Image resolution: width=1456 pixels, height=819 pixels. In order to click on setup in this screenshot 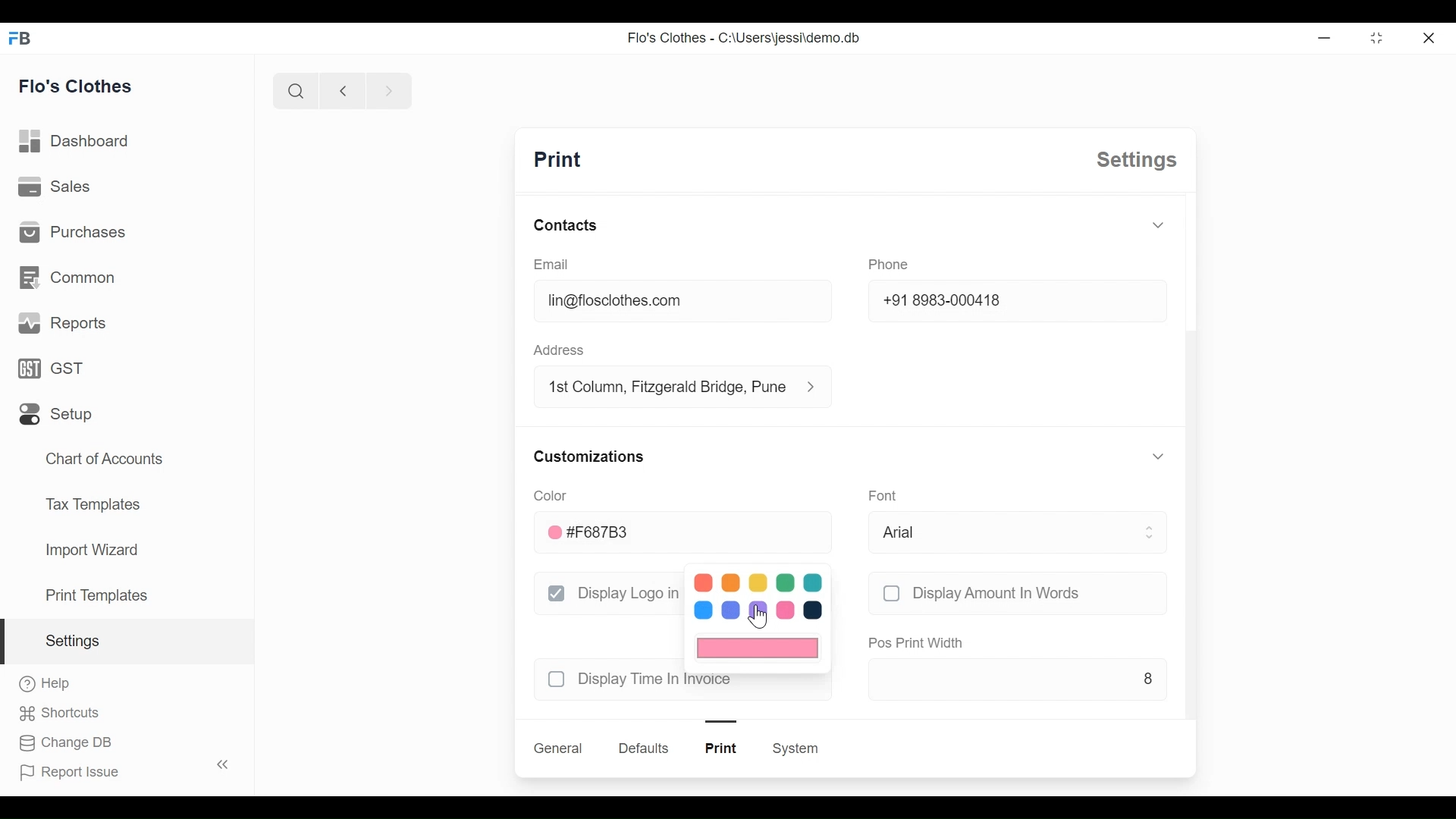, I will do `click(56, 415)`.